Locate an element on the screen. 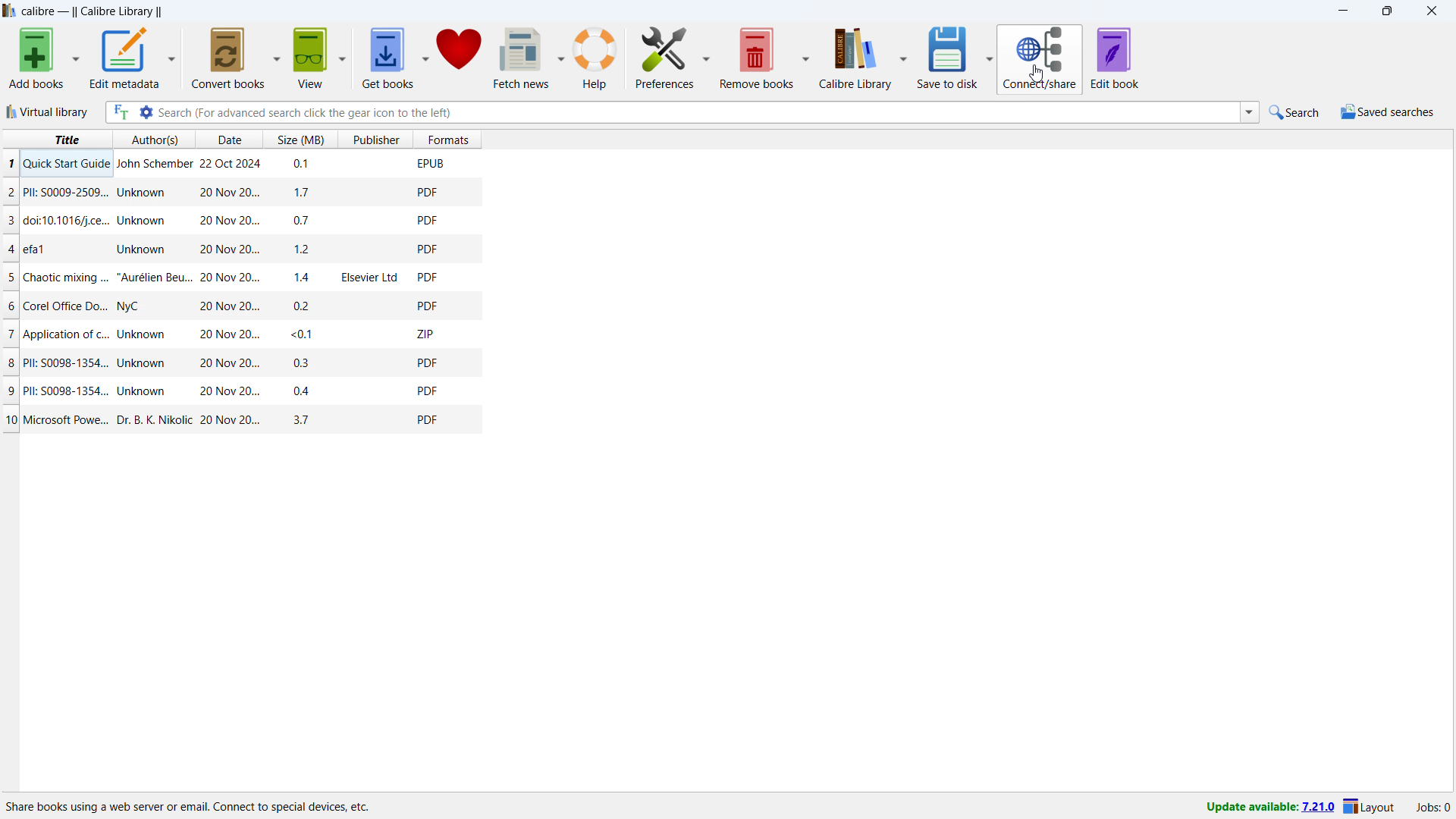  remove books options is located at coordinates (806, 58).